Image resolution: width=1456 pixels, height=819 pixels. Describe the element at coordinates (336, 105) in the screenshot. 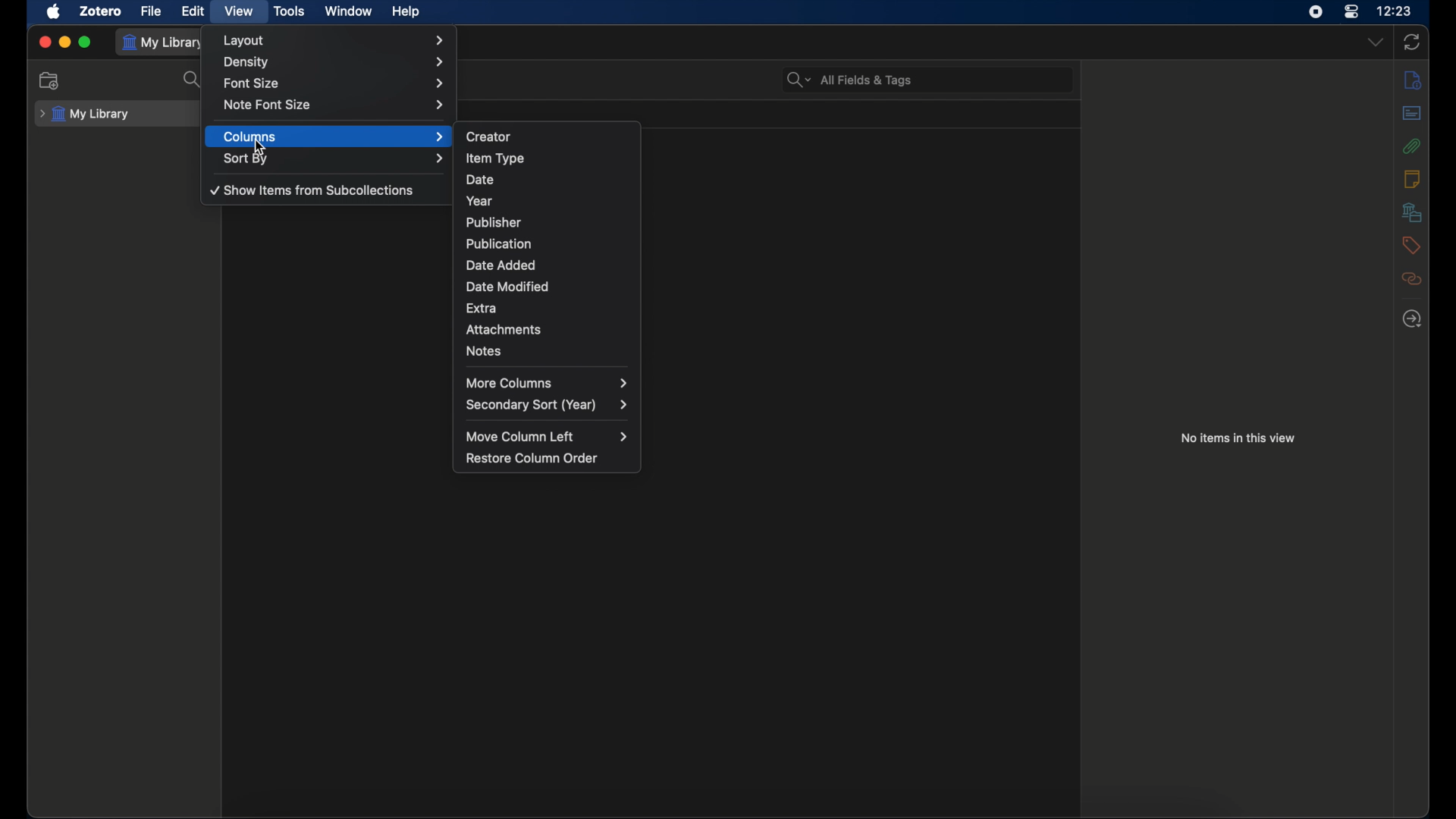

I see `note font size` at that location.